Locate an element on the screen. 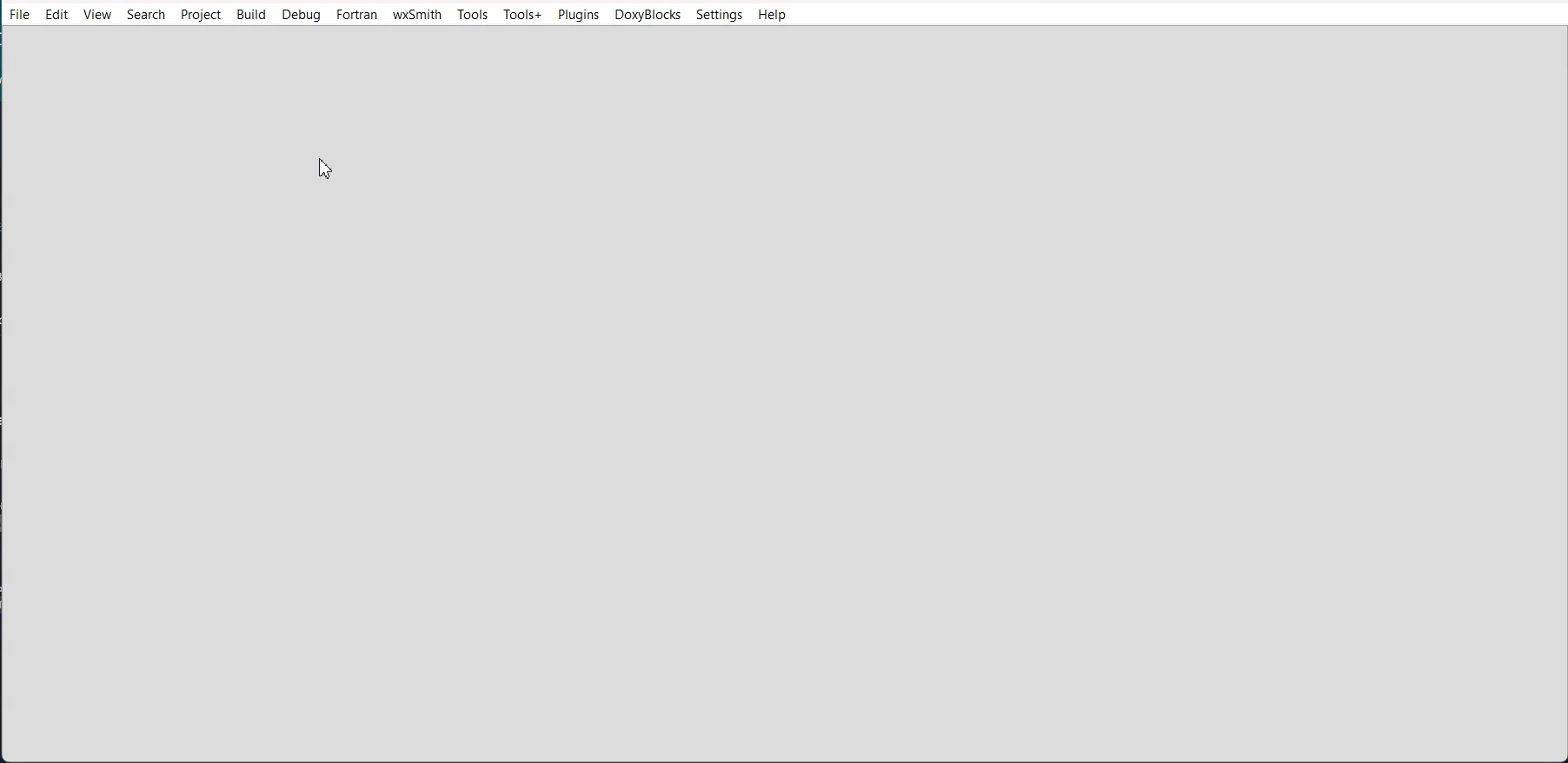  Debug is located at coordinates (301, 15).